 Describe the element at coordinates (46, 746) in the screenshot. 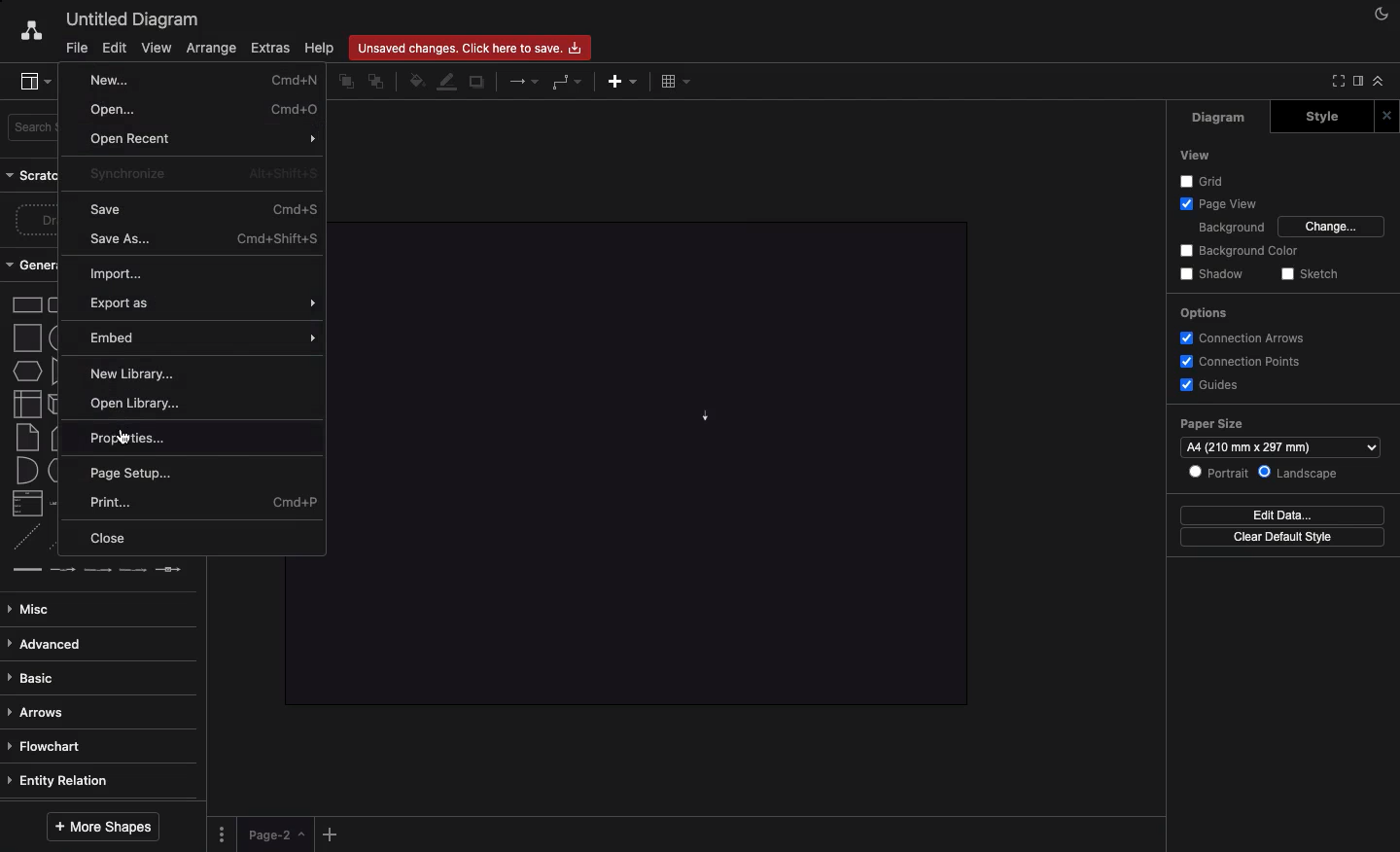

I see `Flowchart` at that location.